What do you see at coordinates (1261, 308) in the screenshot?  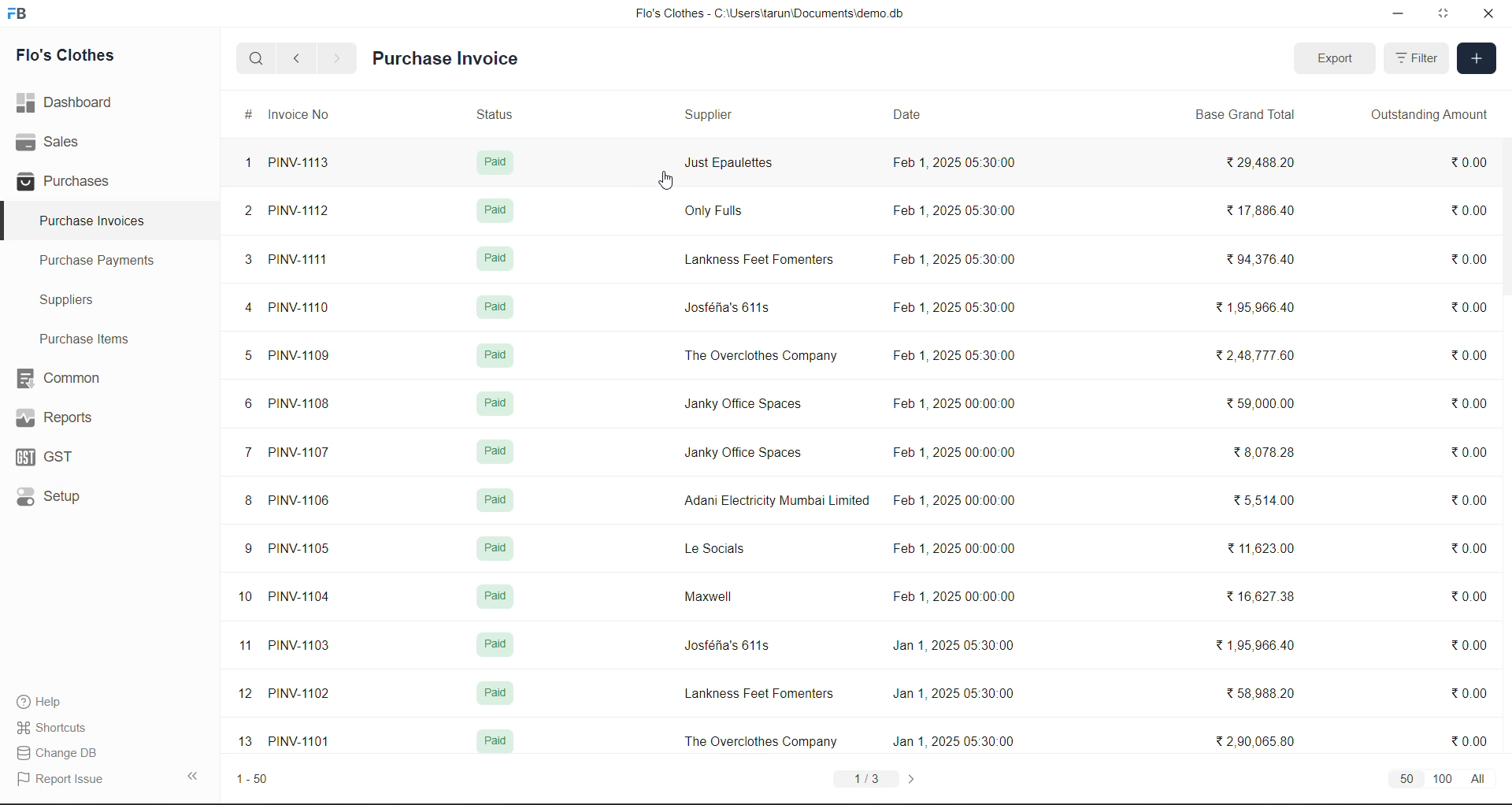 I see `₹1,95,966.40` at bounding box center [1261, 308].